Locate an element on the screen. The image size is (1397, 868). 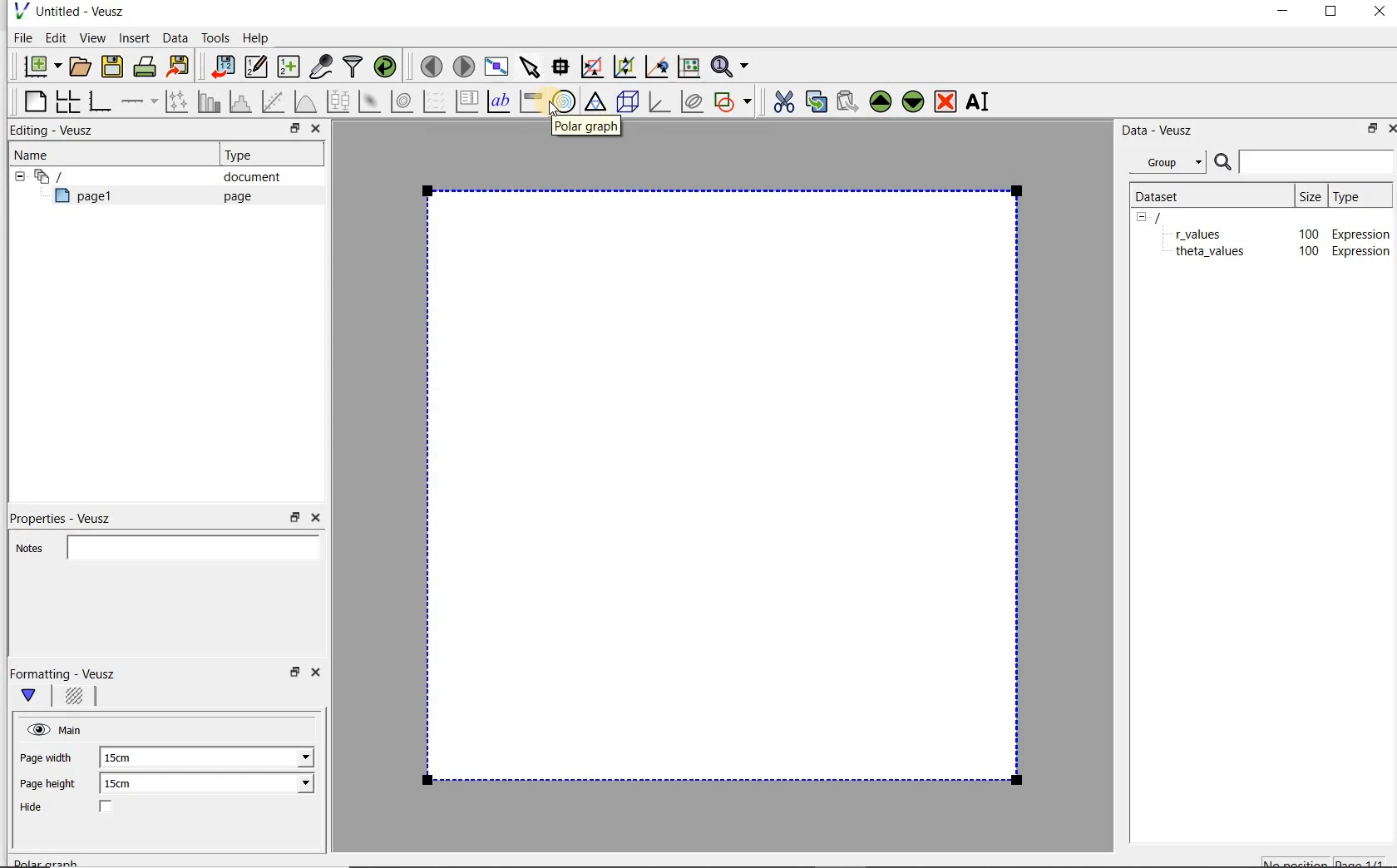
histogram of a dataset is located at coordinates (243, 101).